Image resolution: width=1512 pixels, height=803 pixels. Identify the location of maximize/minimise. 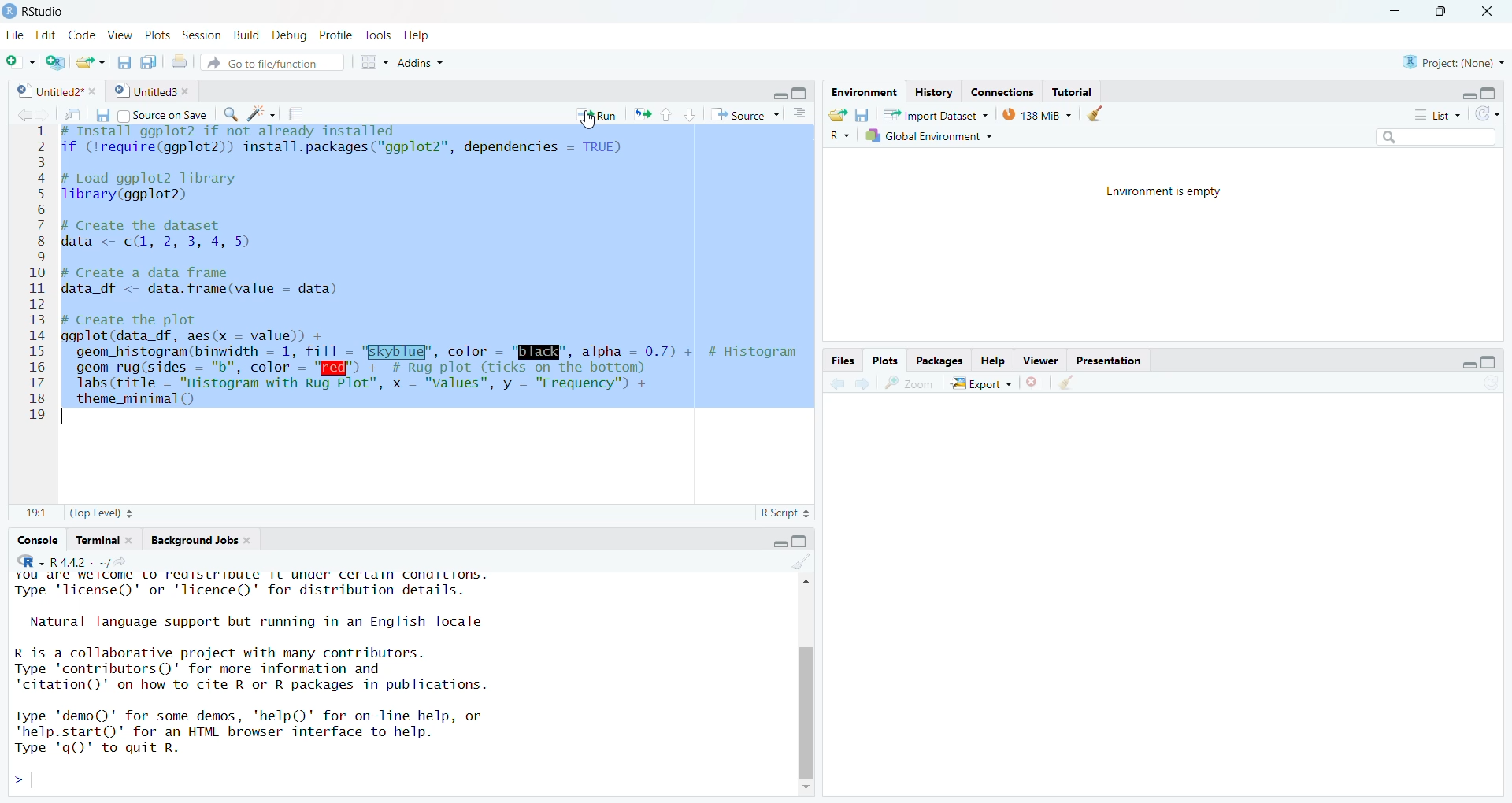
(795, 543).